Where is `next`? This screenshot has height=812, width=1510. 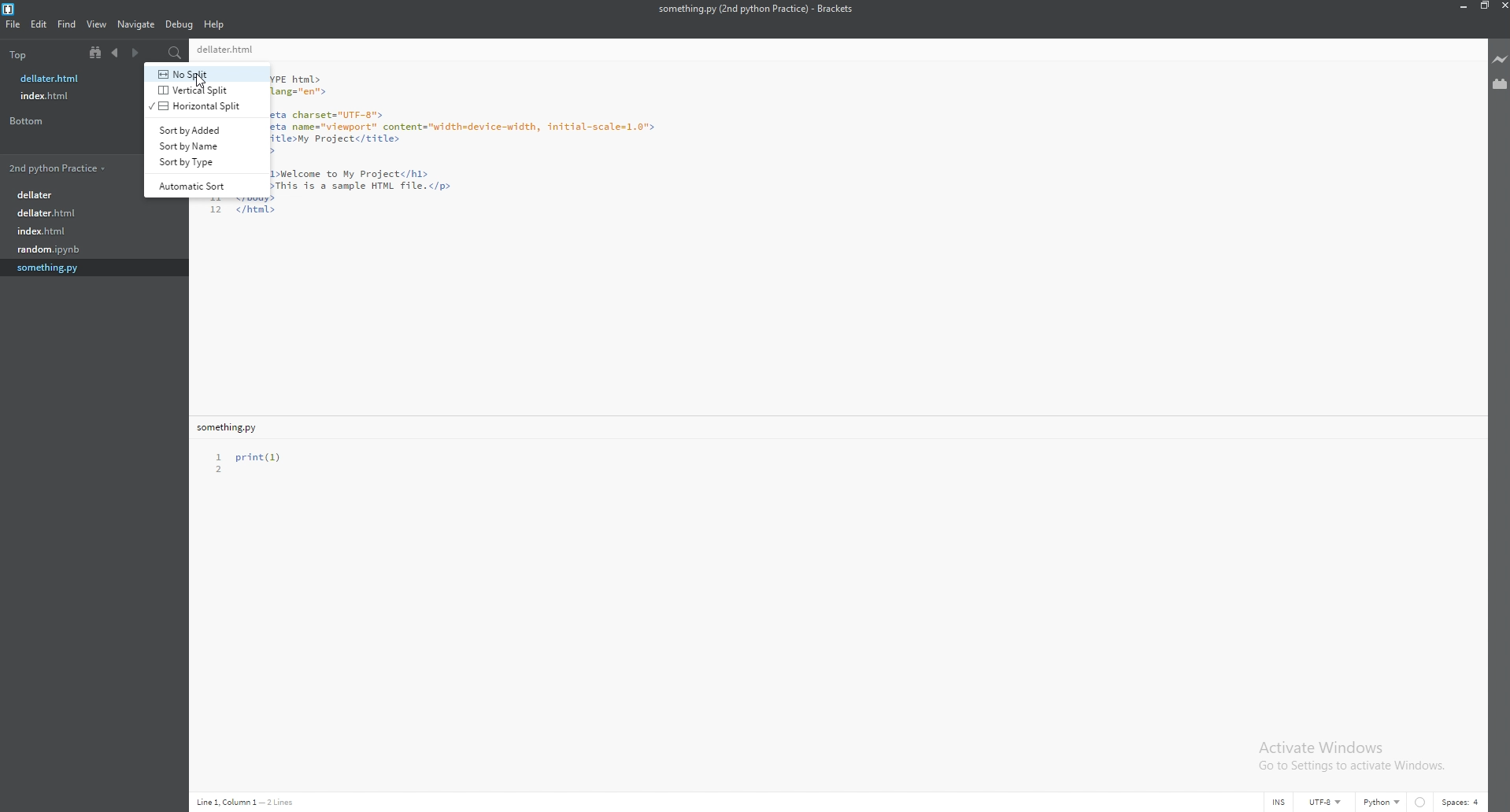
next is located at coordinates (133, 53).